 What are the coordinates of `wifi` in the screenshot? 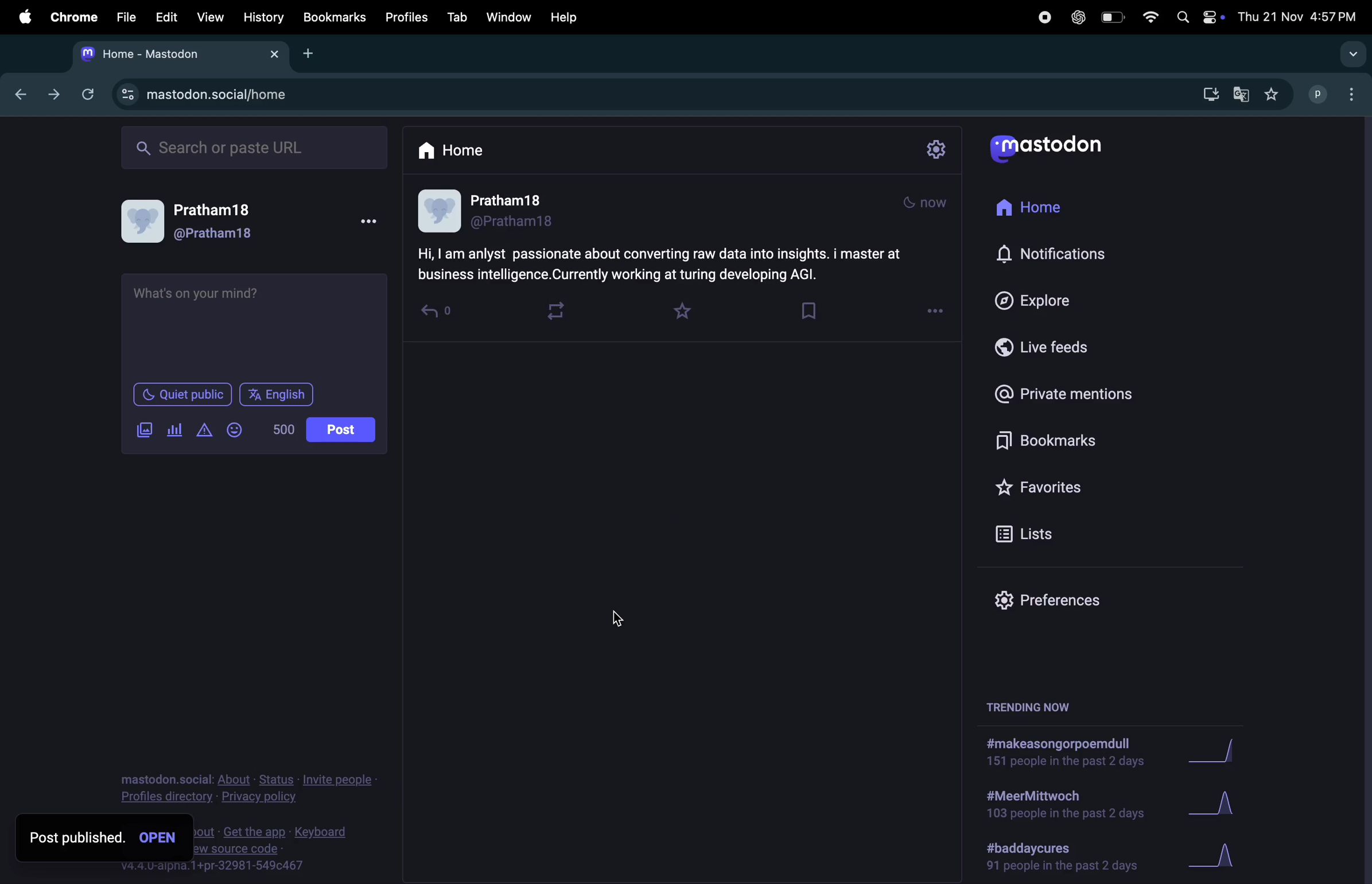 It's located at (1148, 19).